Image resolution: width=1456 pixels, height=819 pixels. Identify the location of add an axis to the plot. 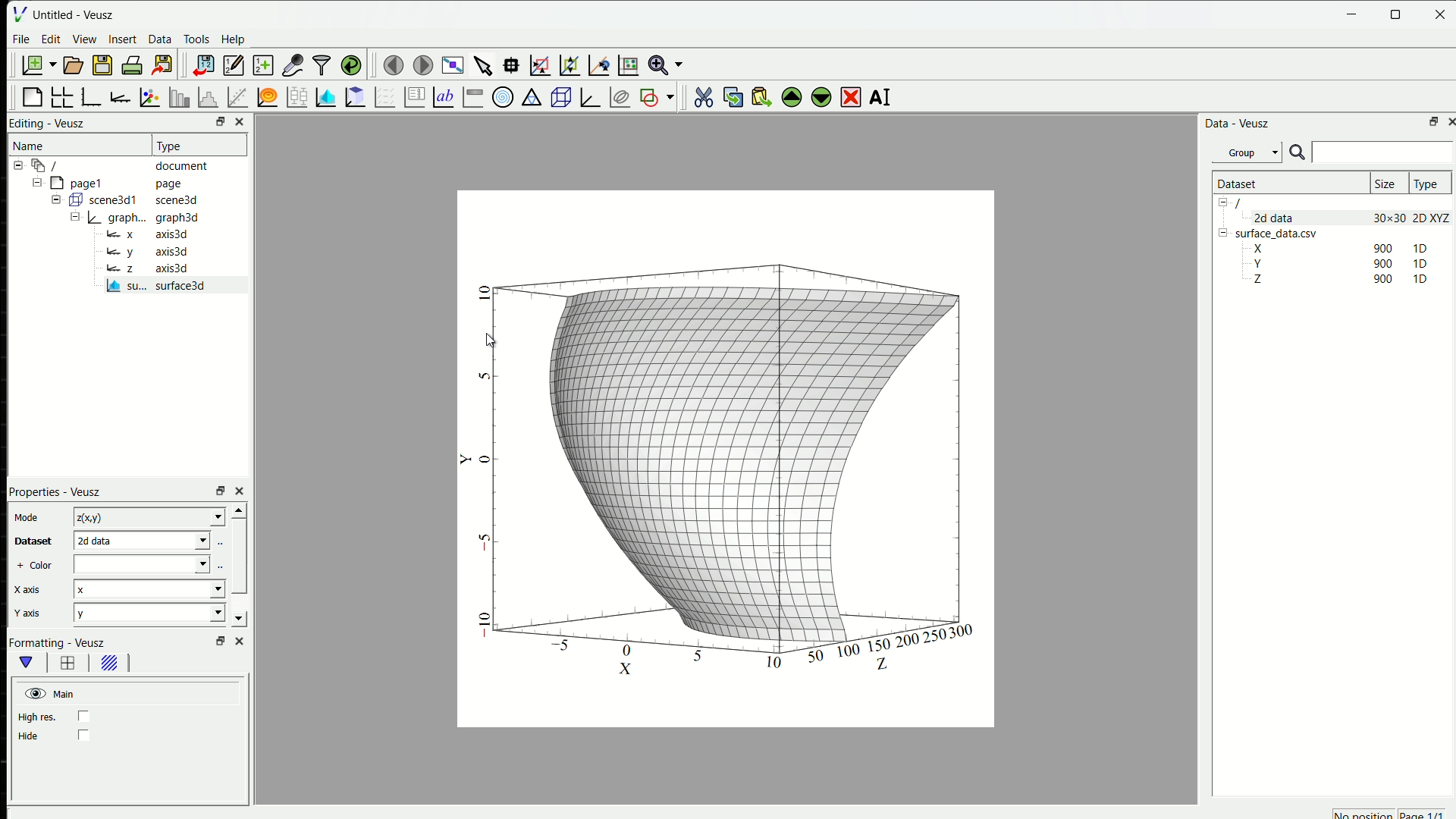
(121, 96).